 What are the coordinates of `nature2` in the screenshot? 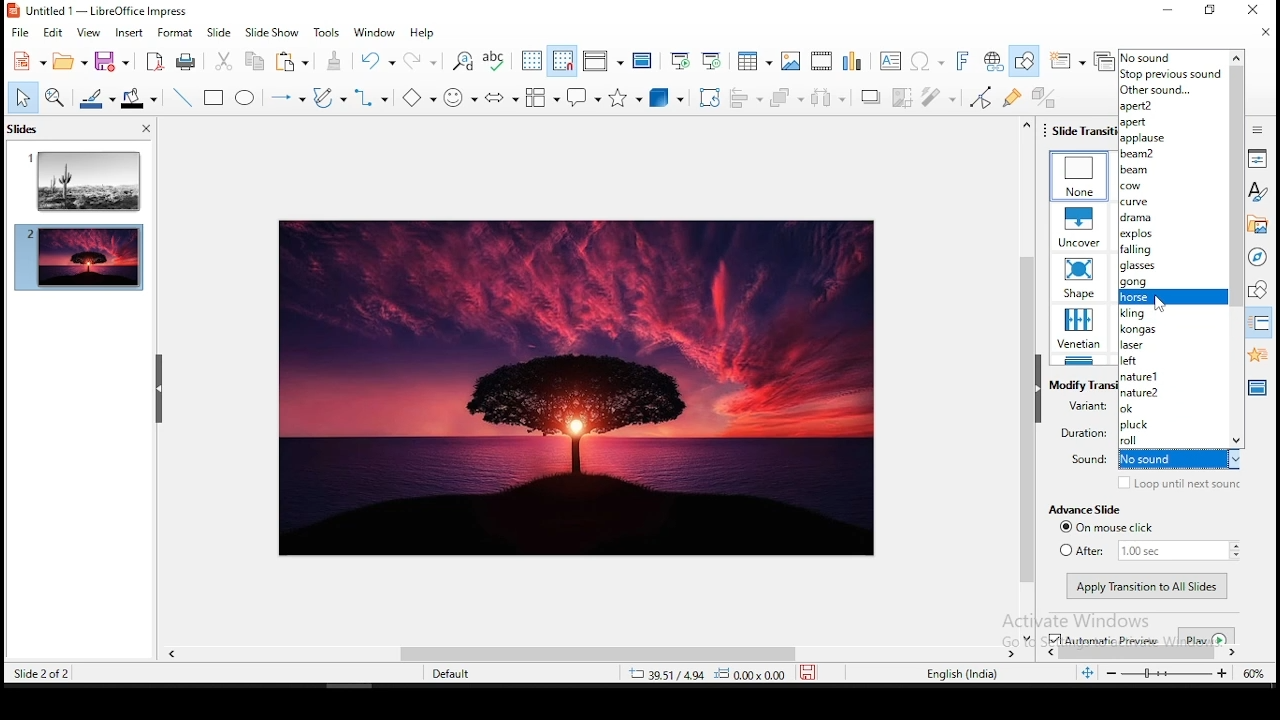 It's located at (1173, 391).